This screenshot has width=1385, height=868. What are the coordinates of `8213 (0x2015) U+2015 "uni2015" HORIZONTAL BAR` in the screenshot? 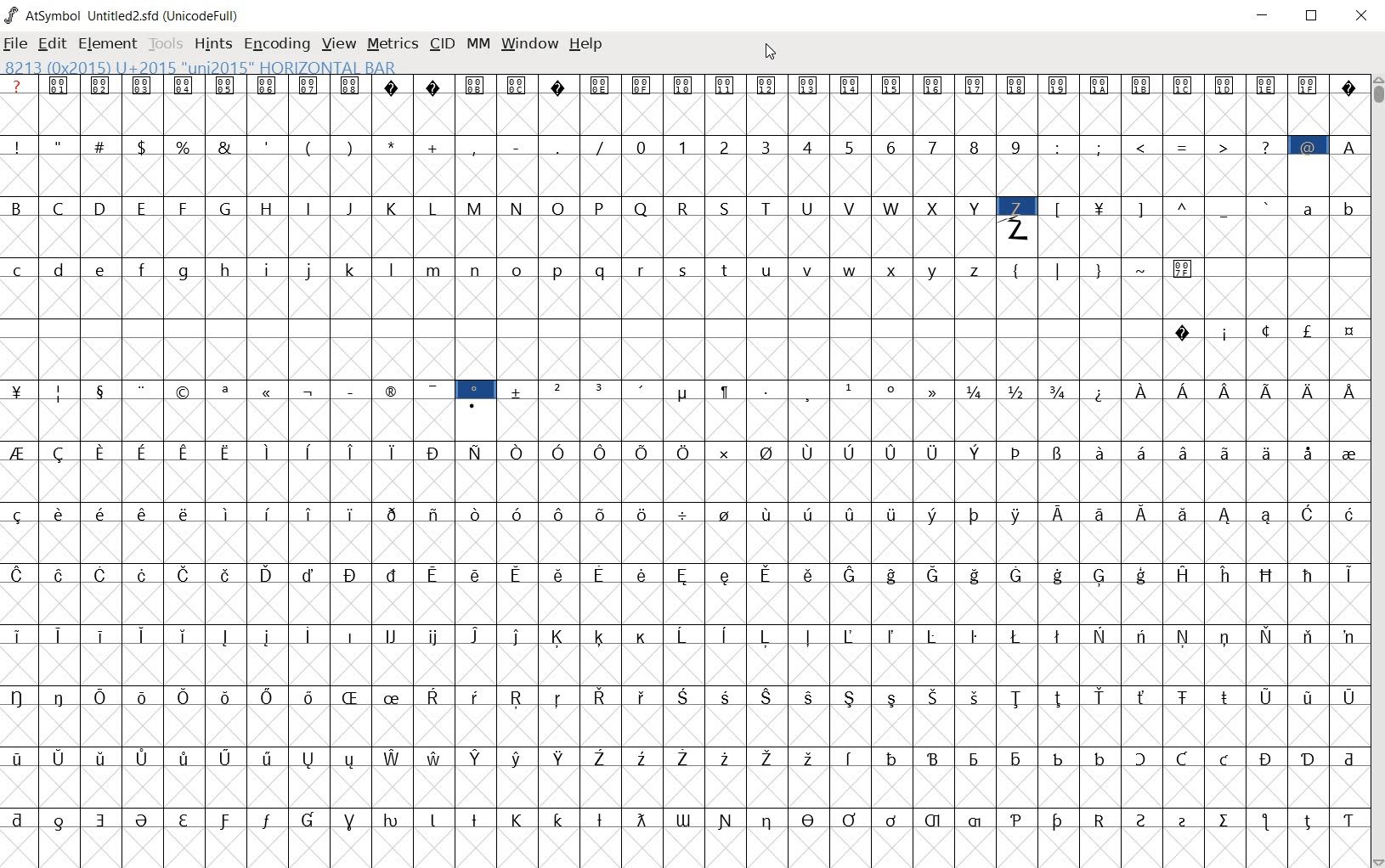 It's located at (199, 67).